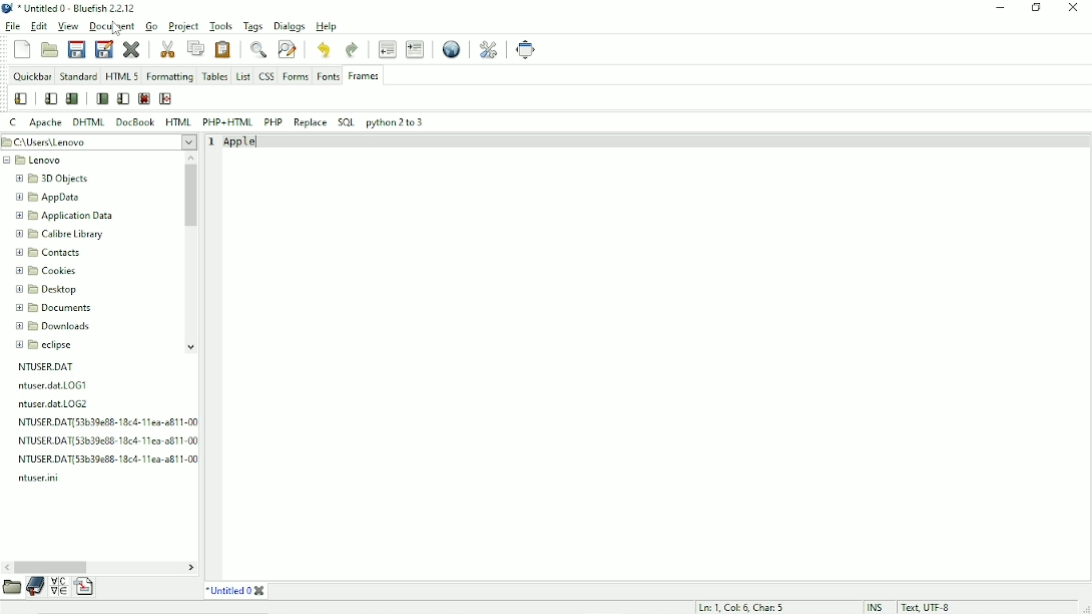  What do you see at coordinates (62, 215) in the screenshot?
I see `Application data` at bounding box center [62, 215].